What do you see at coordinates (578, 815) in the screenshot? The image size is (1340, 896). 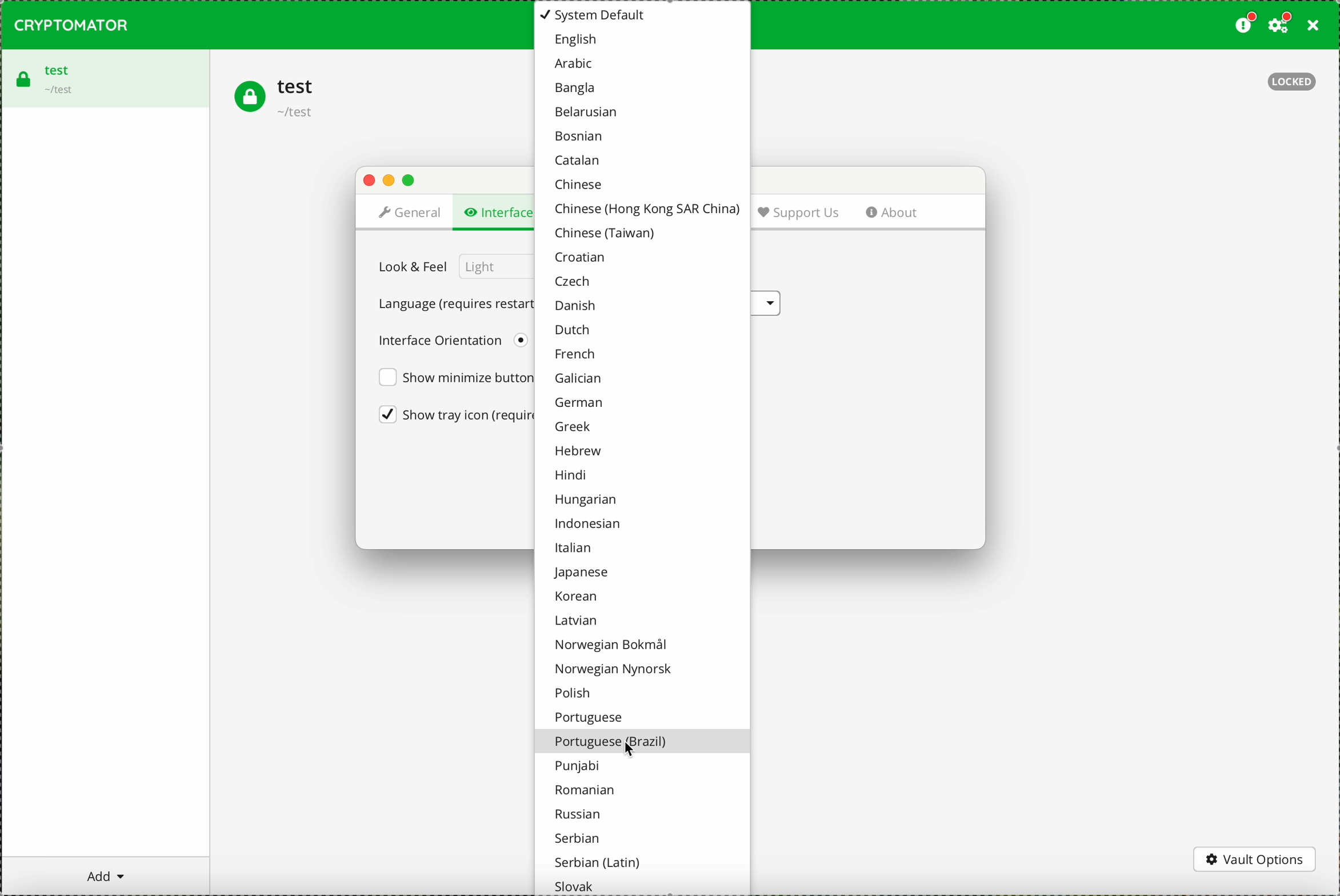 I see `russian` at bounding box center [578, 815].